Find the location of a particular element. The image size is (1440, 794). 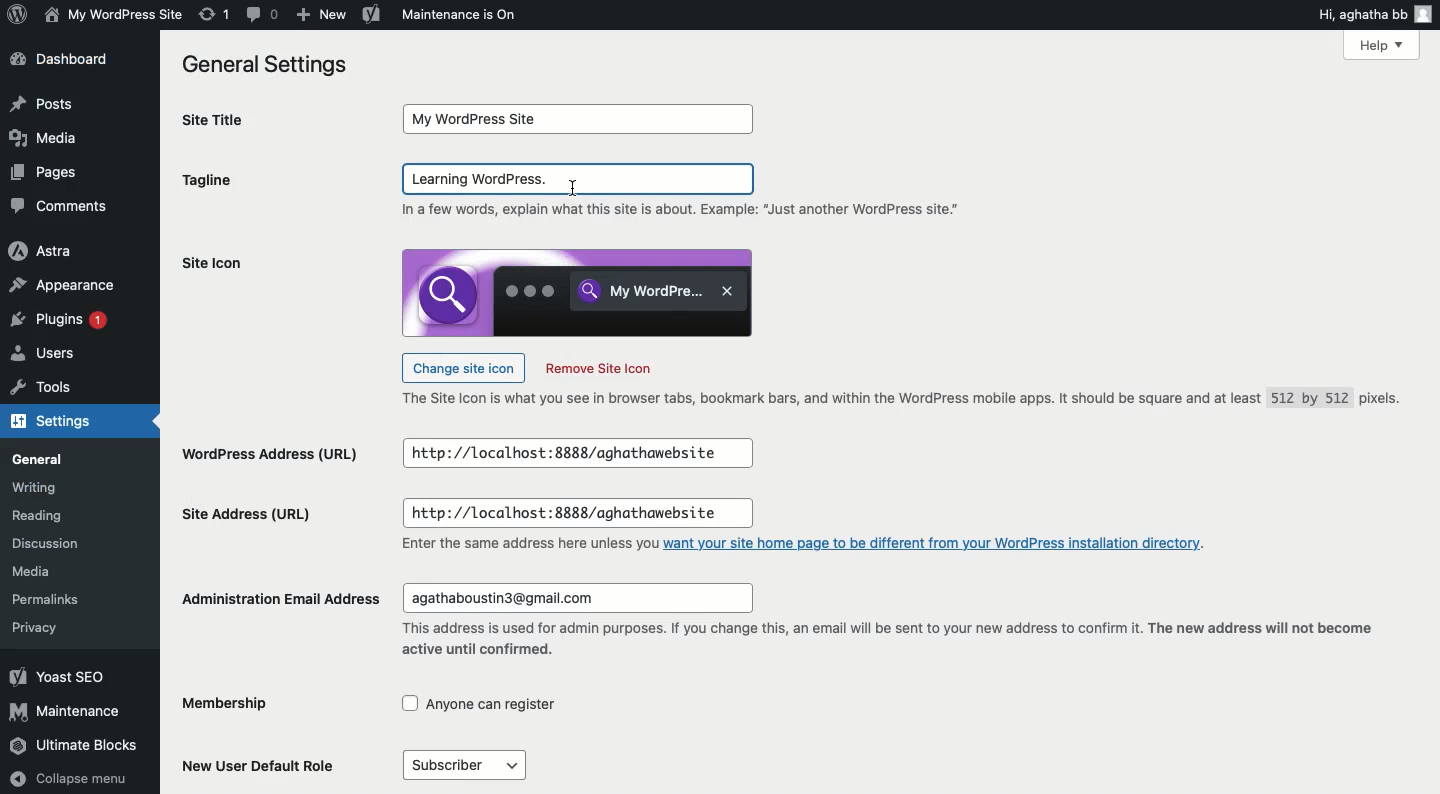

Hi user is located at coordinates (1376, 14).